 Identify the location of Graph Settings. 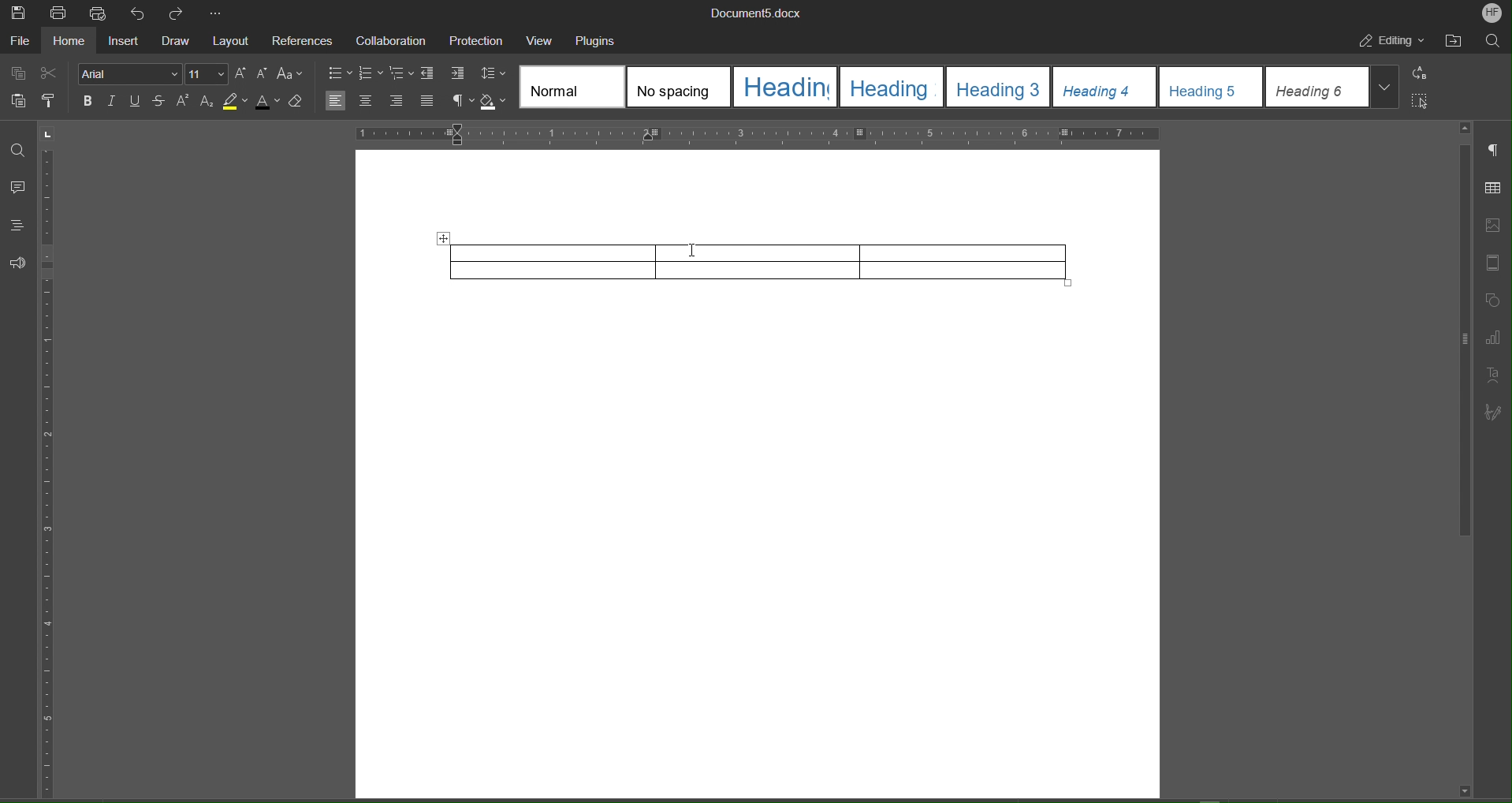
(1496, 335).